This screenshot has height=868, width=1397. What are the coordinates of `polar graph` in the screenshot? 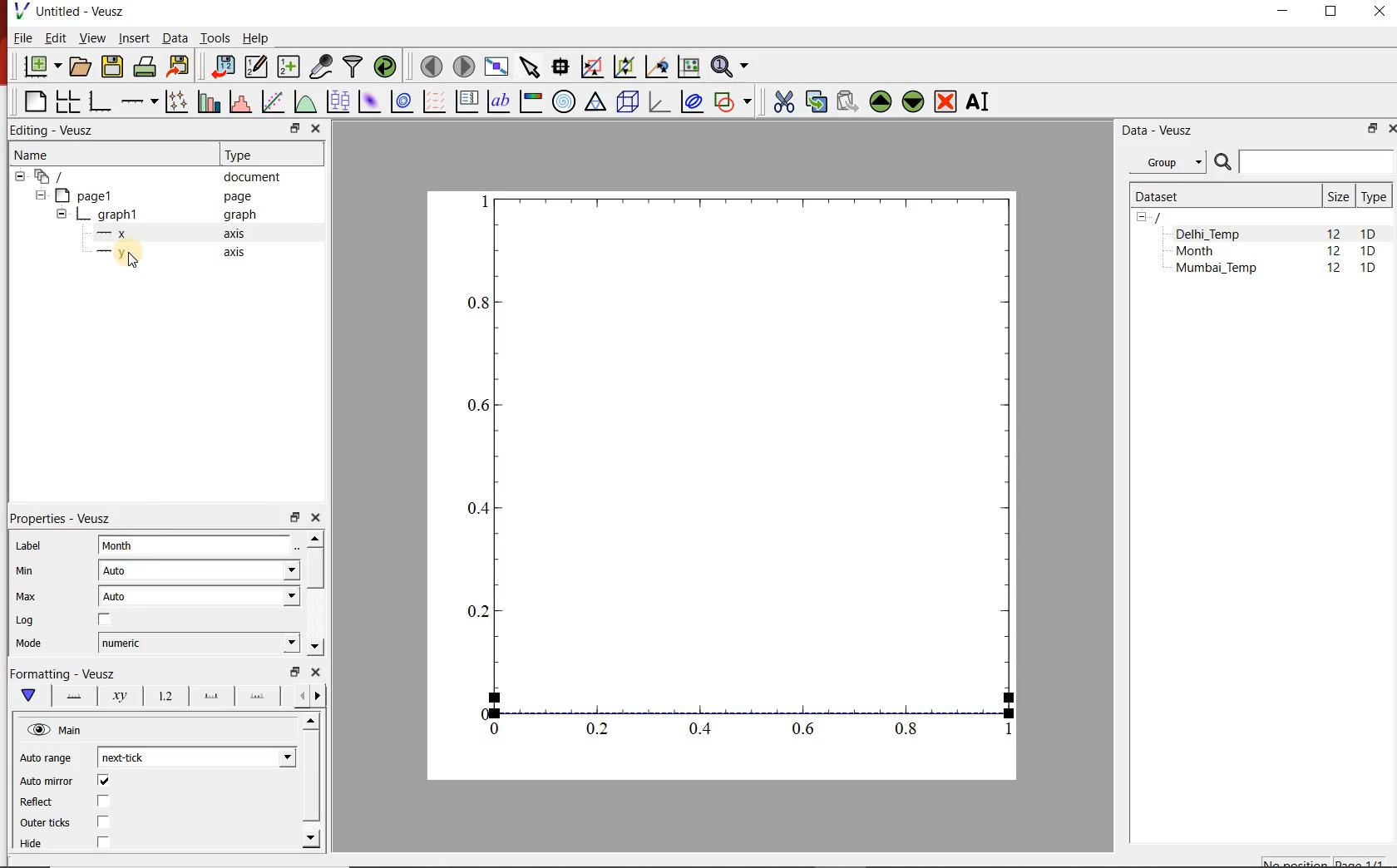 It's located at (565, 103).